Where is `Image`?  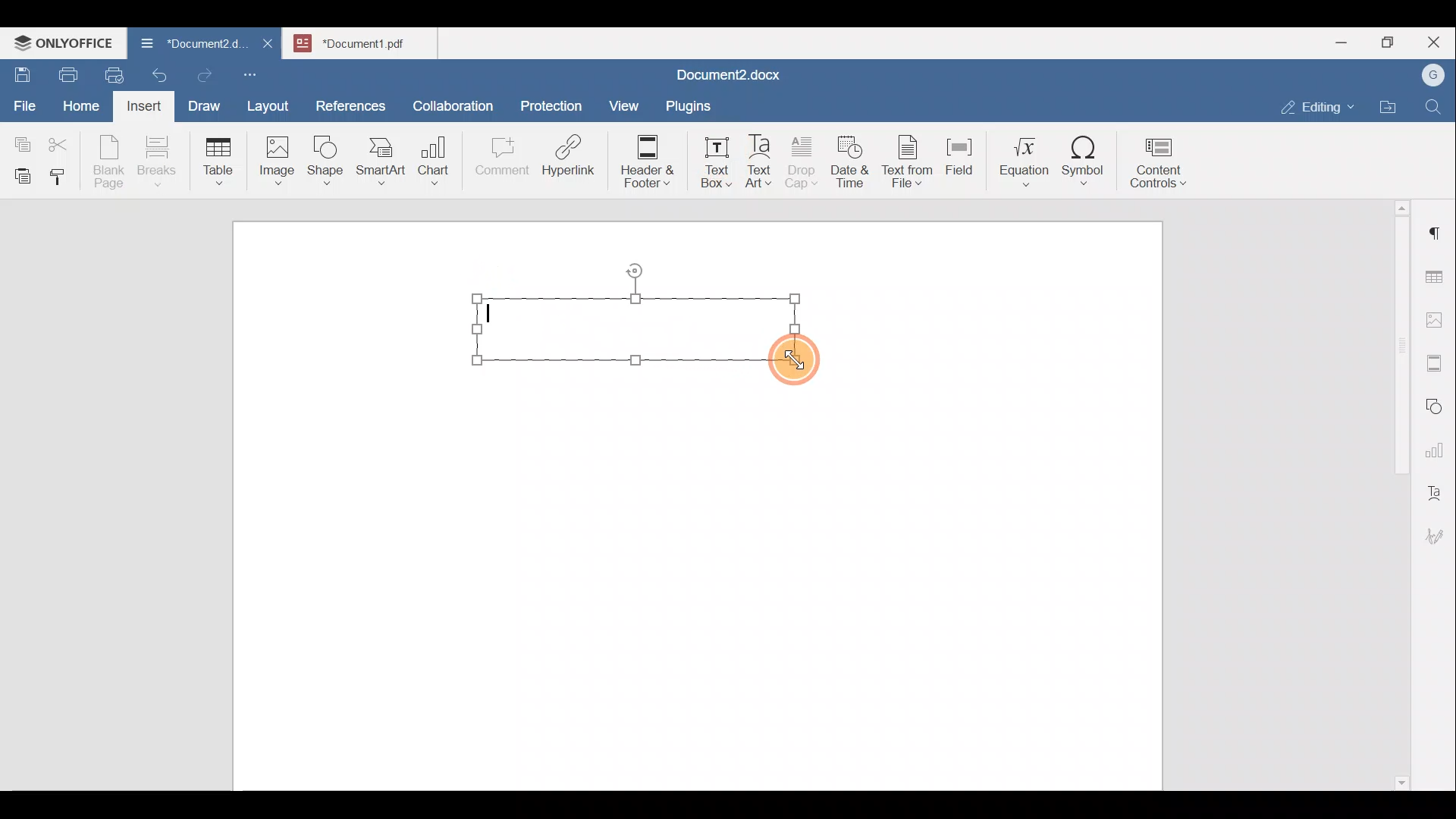 Image is located at coordinates (281, 155).